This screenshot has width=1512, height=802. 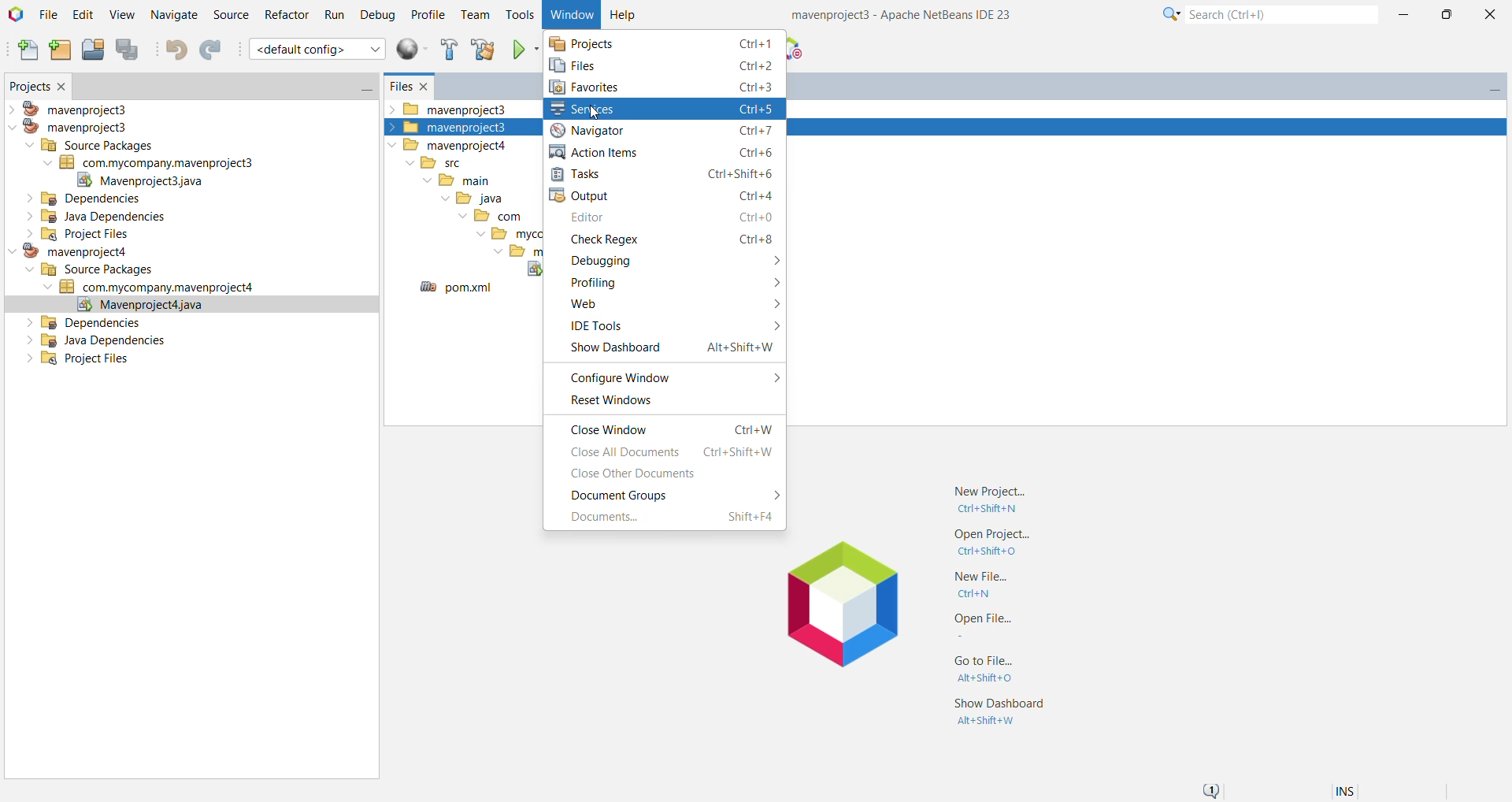 I want to click on Output, so click(x=666, y=196).